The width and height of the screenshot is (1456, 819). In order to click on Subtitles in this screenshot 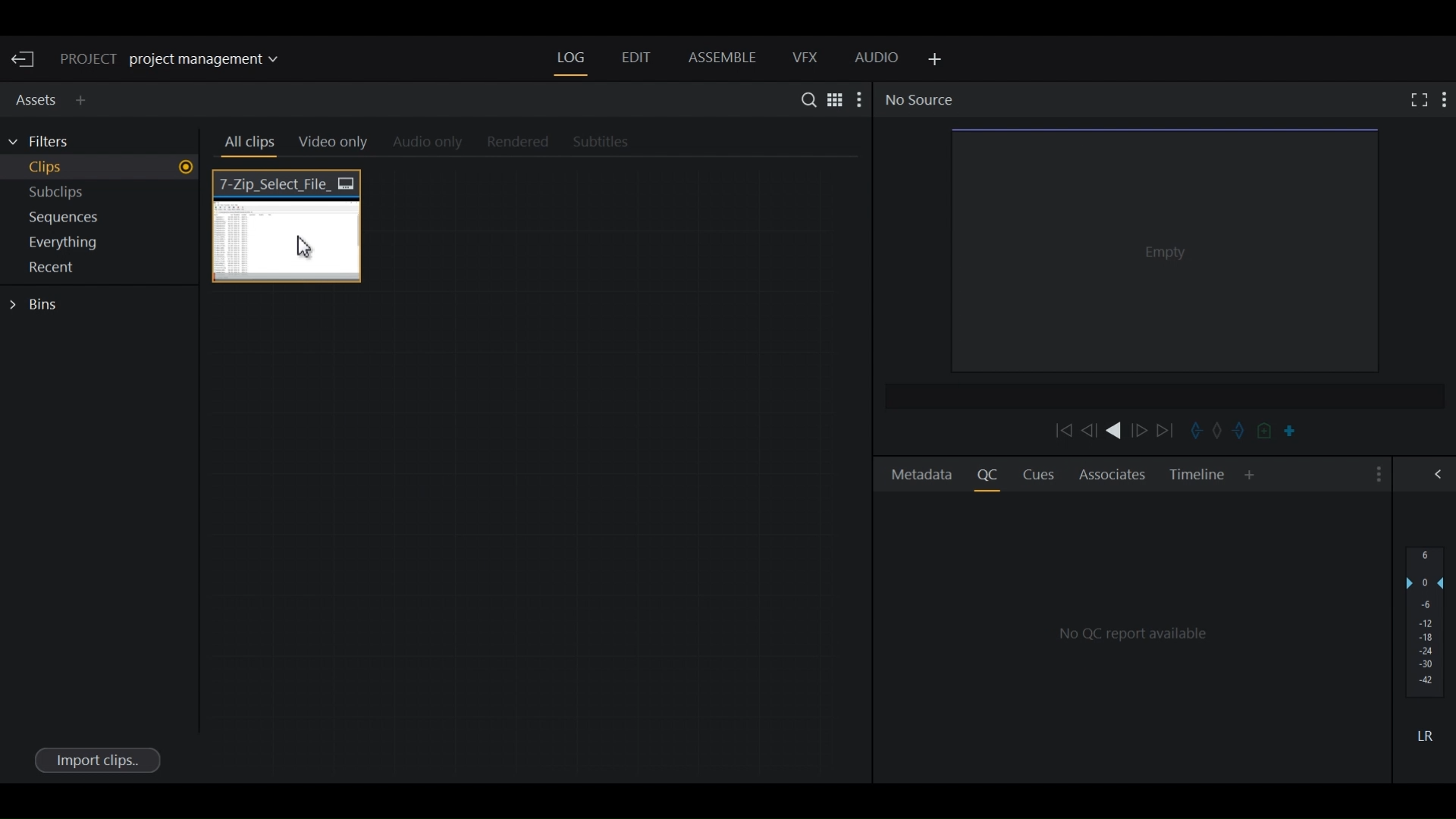, I will do `click(610, 143)`.